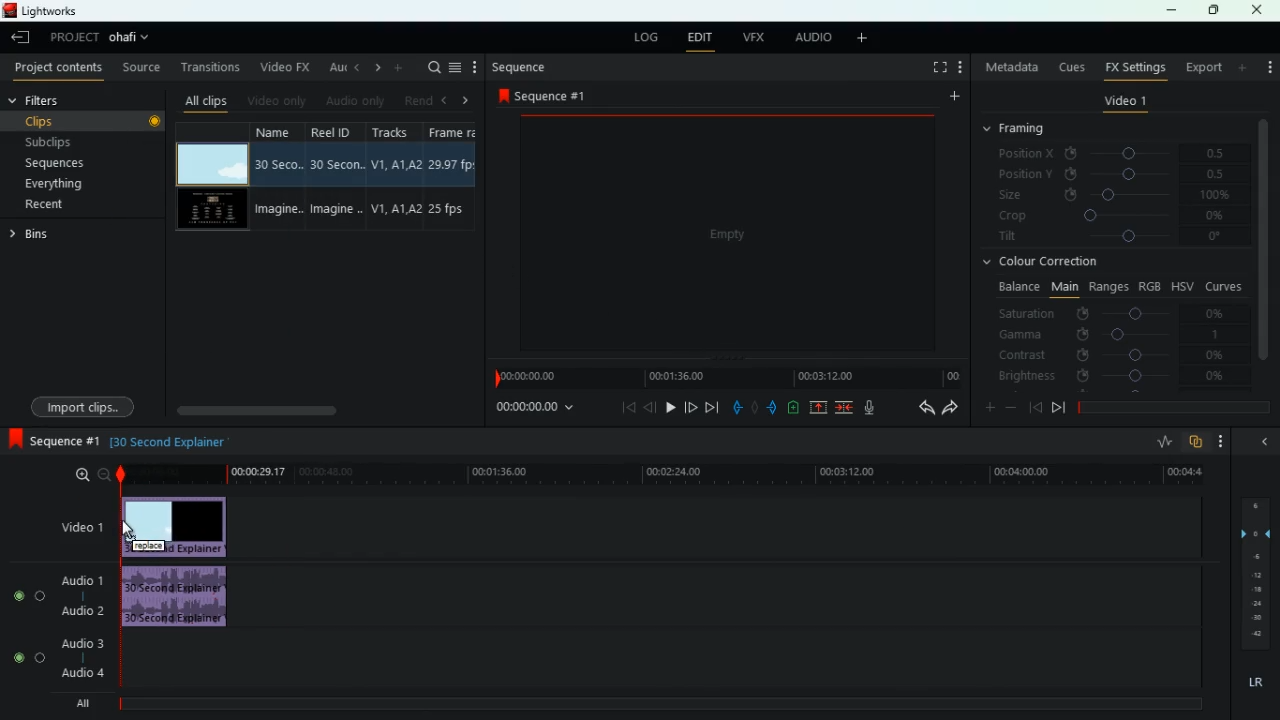  I want to click on ranges, so click(1108, 286).